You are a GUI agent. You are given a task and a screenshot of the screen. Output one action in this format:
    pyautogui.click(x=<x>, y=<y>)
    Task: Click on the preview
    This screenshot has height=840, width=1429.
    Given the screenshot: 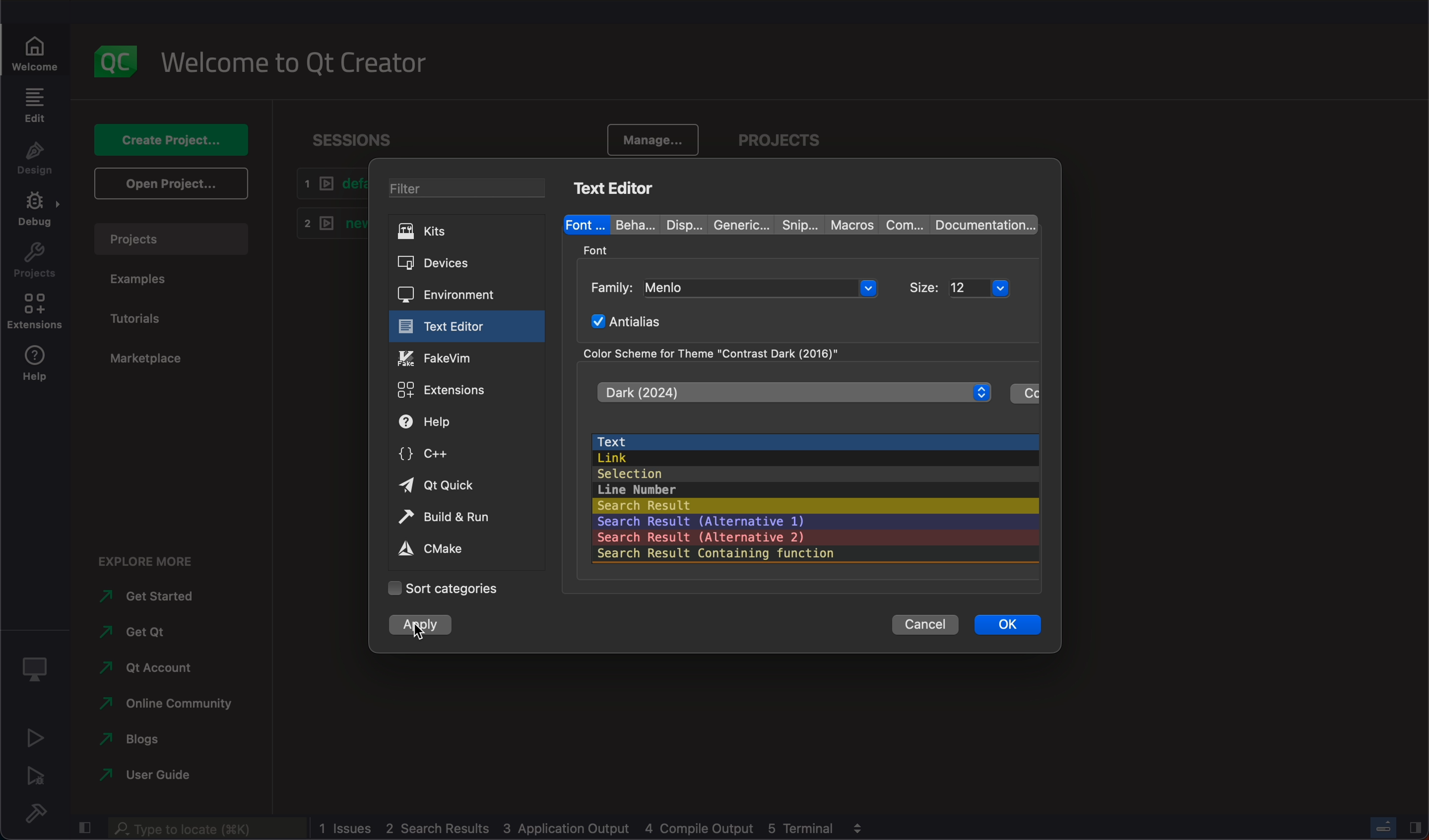 What is the action you would take?
    pyautogui.click(x=815, y=495)
    